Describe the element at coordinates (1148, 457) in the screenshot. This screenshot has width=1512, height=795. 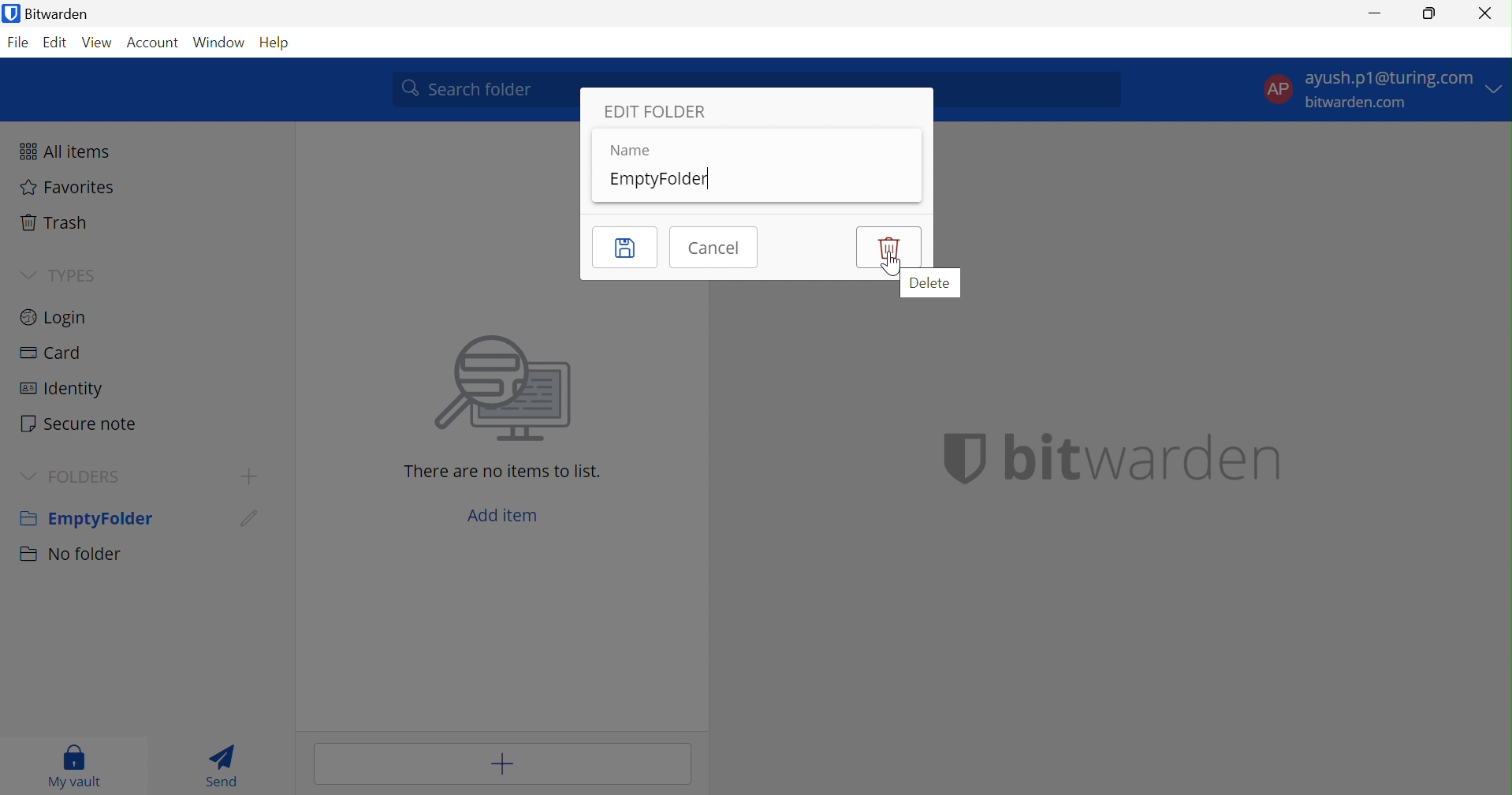
I see `bitwarden` at that location.